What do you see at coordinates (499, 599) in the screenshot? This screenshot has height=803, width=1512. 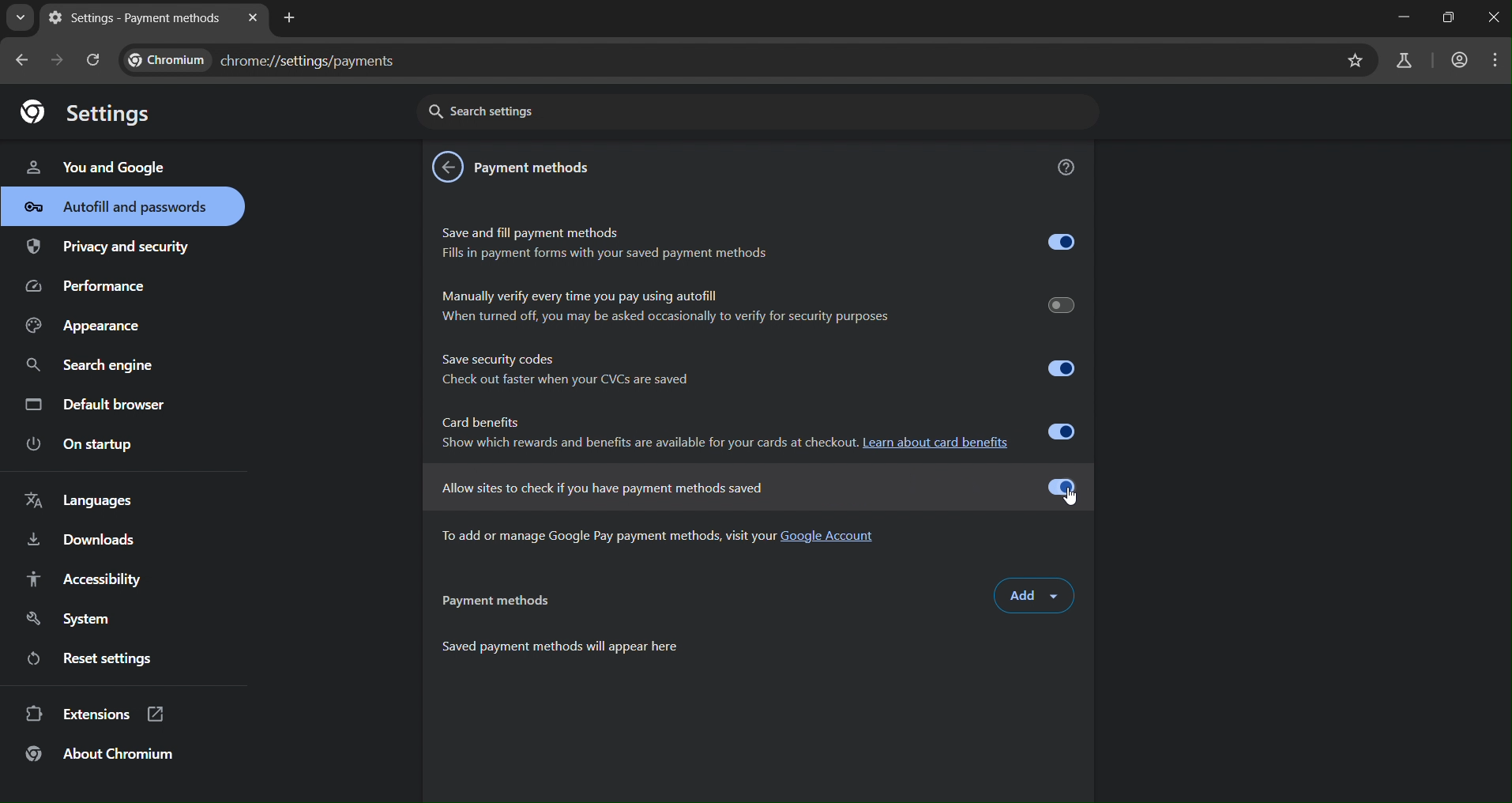 I see `paymentmethods` at bounding box center [499, 599].